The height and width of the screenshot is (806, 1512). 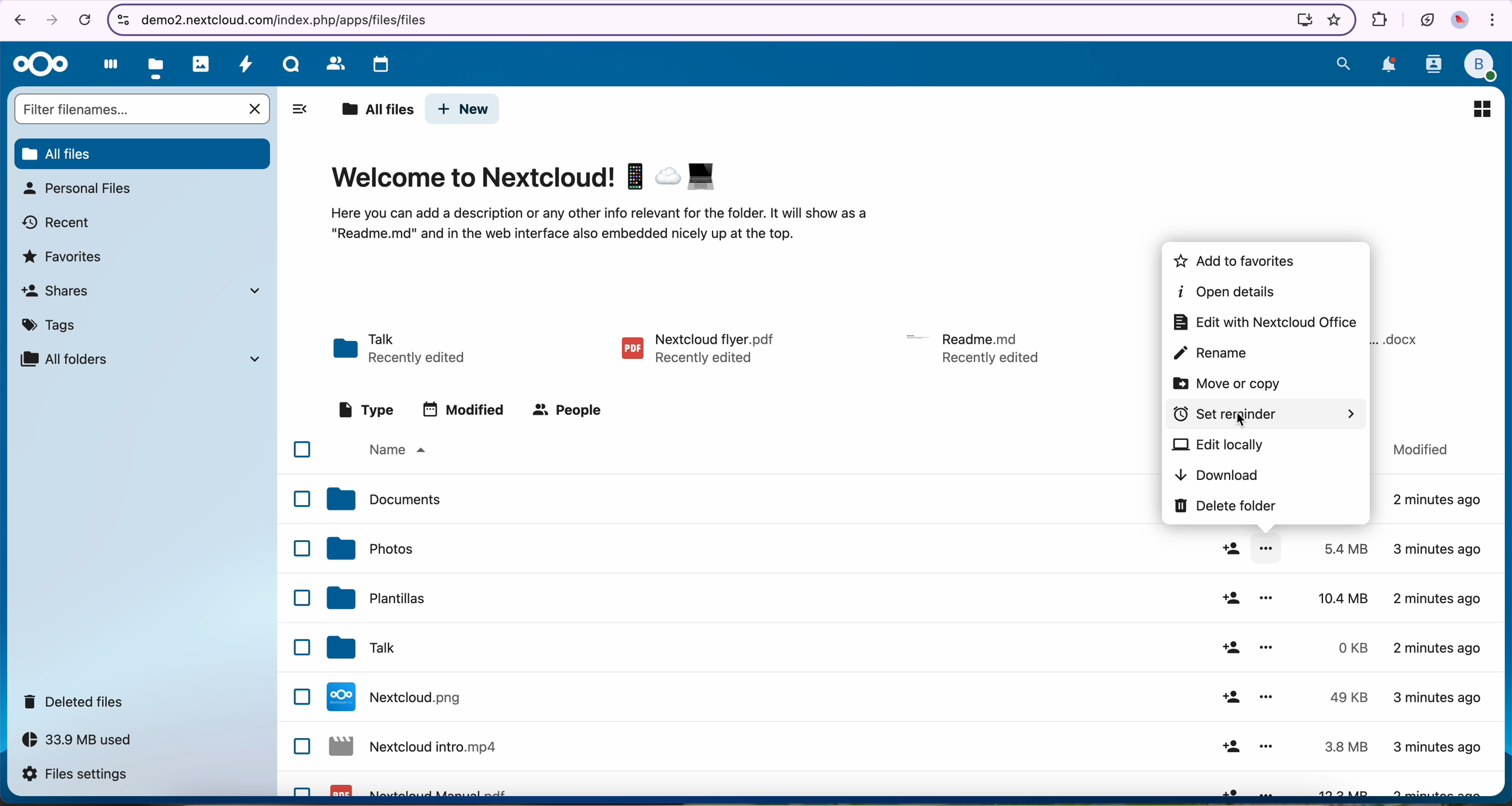 What do you see at coordinates (1331, 19) in the screenshot?
I see `favorites` at bounding box center [1331, 19].